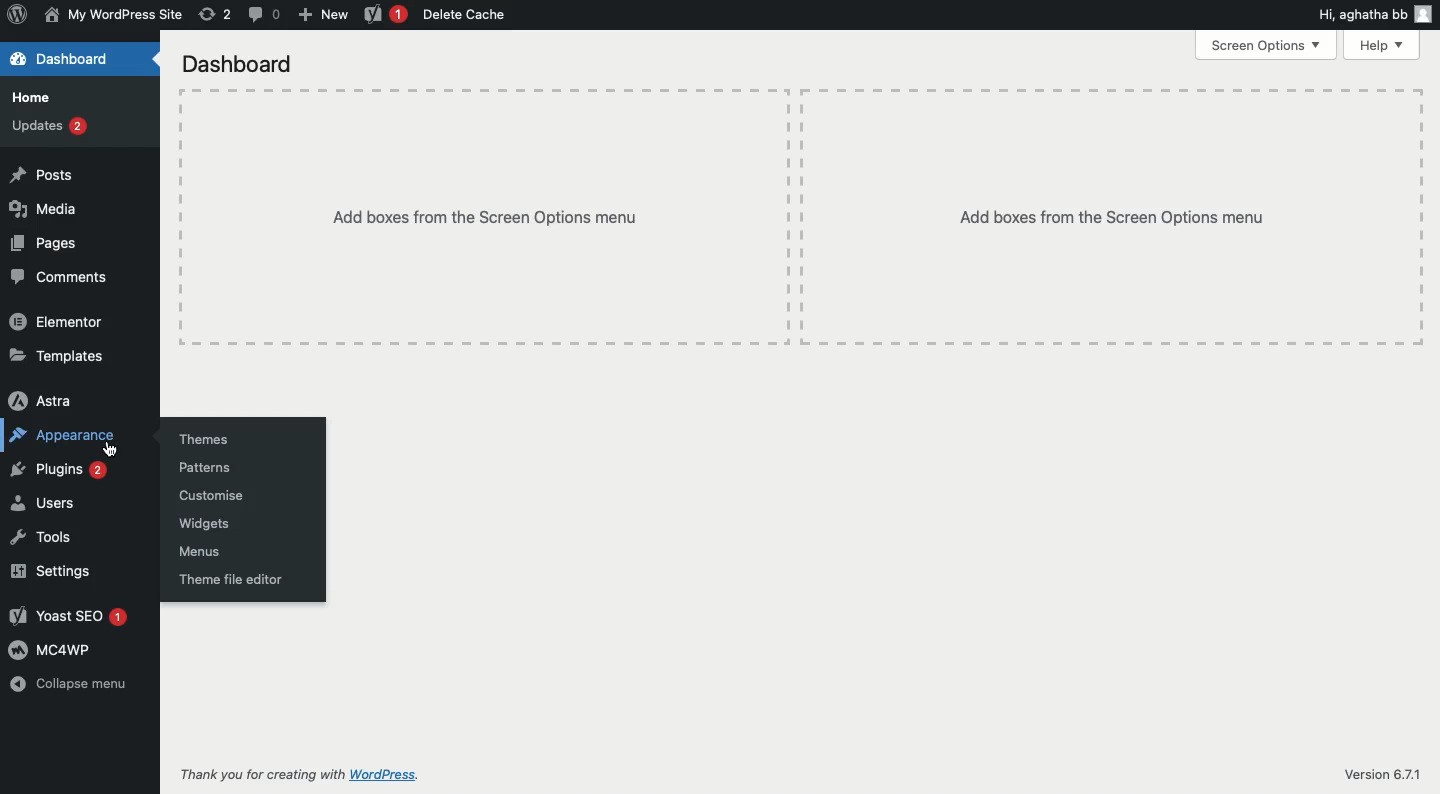 The image size is (1440, 794). I want to click on Home, so click(37, 100).